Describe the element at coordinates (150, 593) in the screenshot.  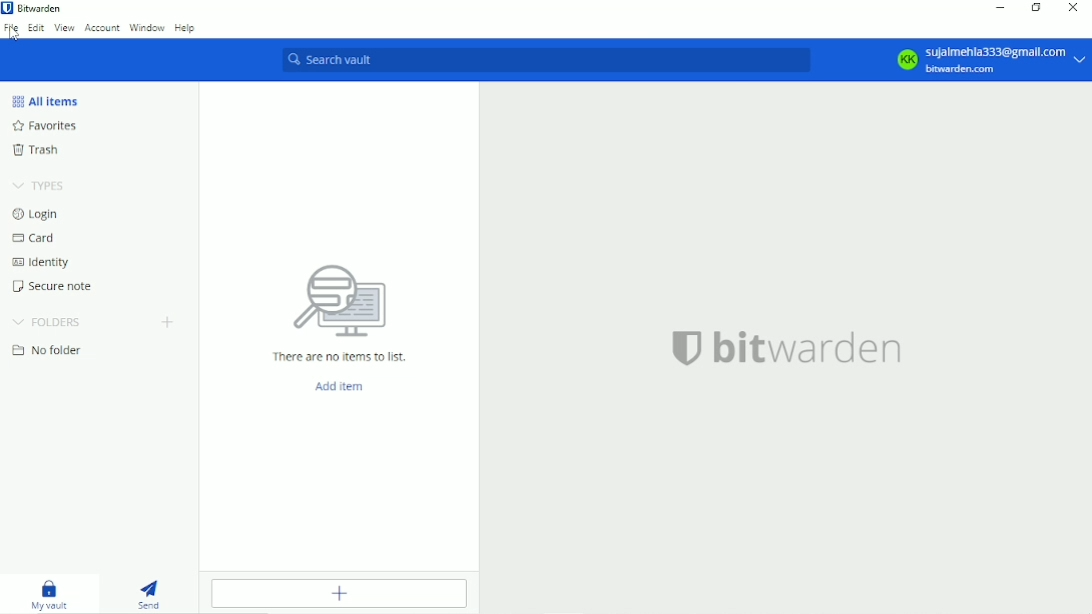
I see `Send` at that location.